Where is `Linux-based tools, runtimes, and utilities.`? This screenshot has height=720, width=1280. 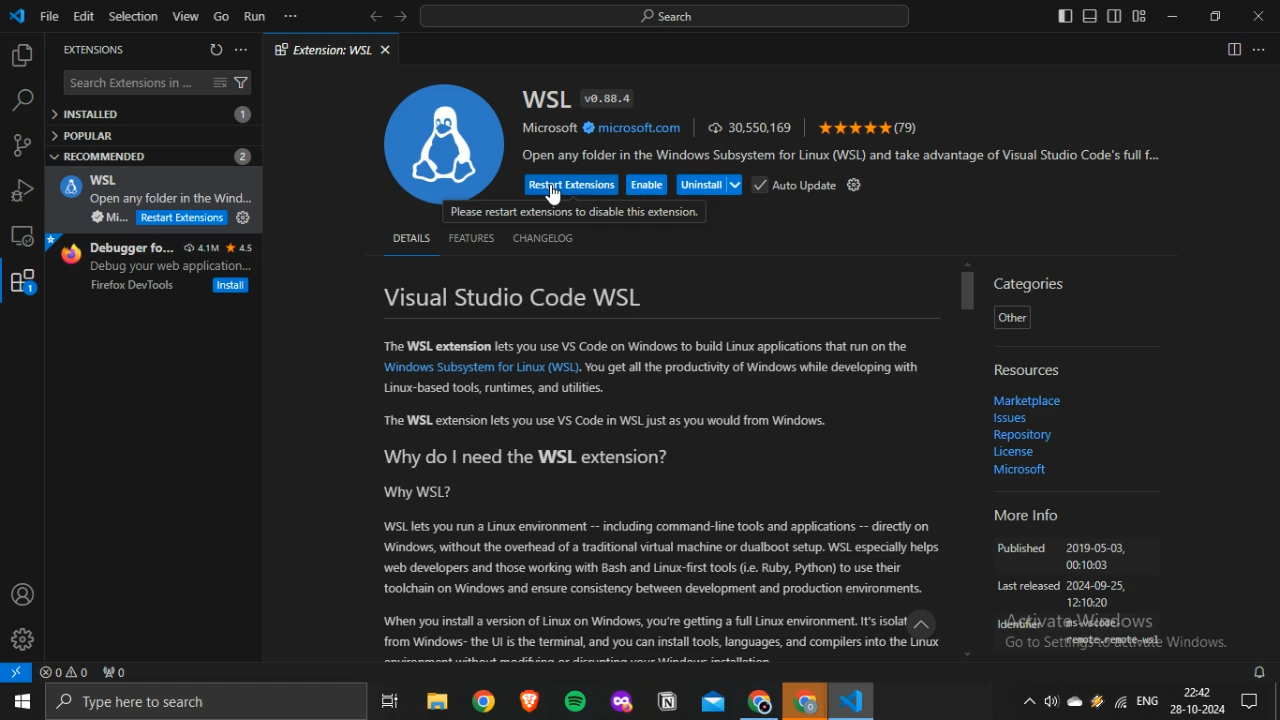 Linux-based tools, runtimes, and utilities. is located at coordinates (494, 388).